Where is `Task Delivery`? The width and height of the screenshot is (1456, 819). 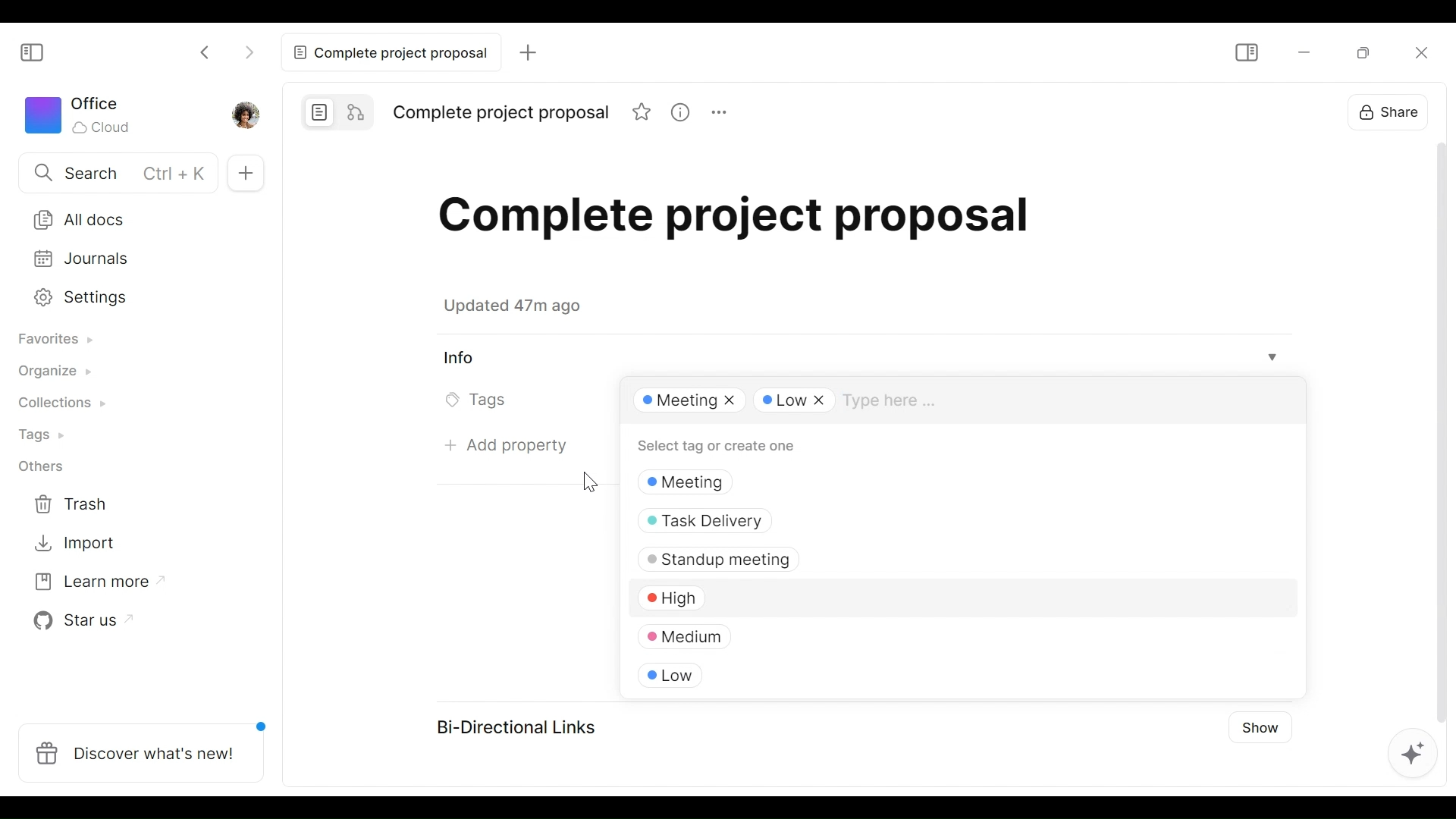
Task Delivery is located at coordinates (847, 519).